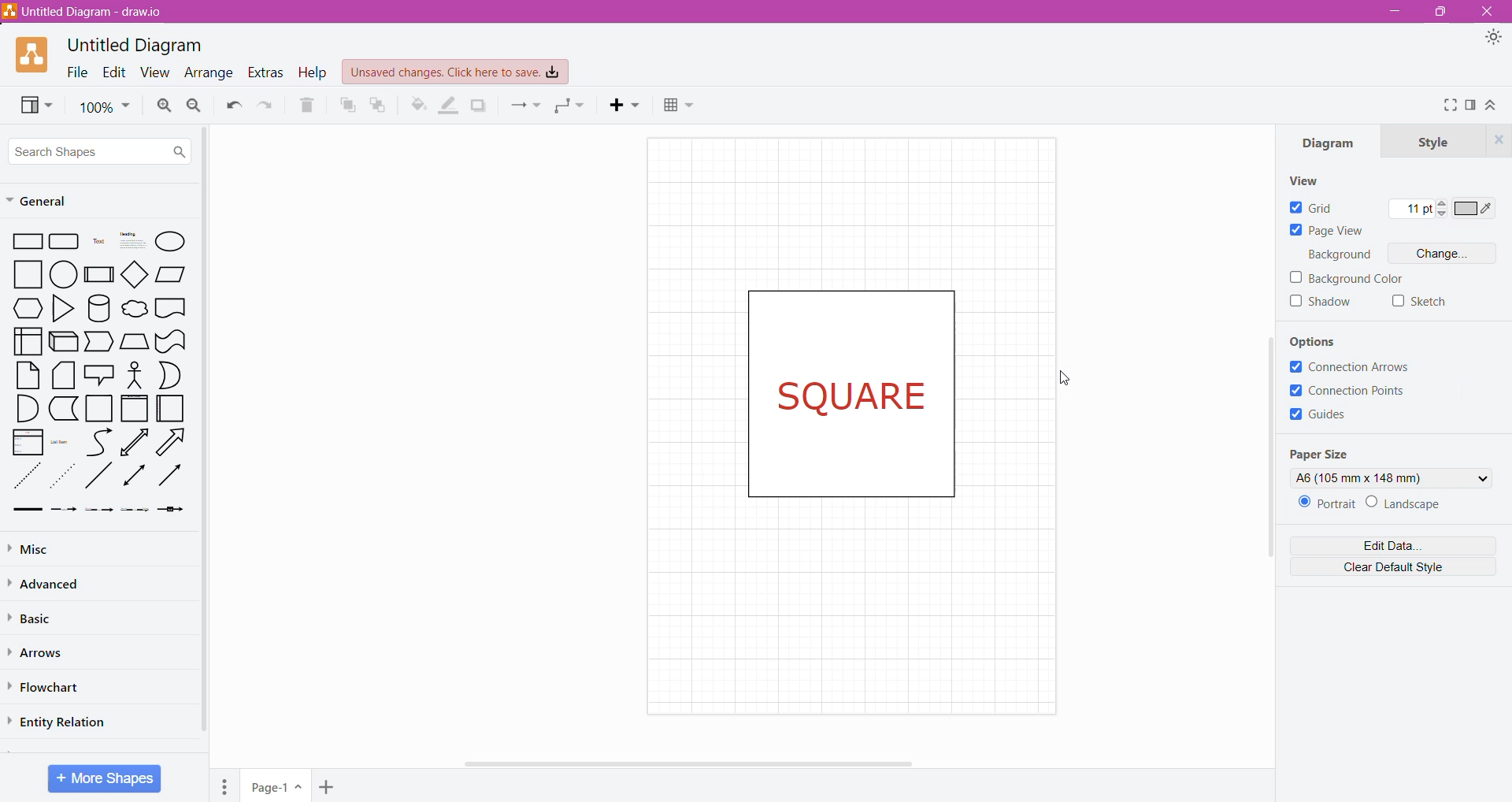  What do you see at coordinates (1498, 140) in the screenshot?
I see `Close` at bounding box center [1498, 140].